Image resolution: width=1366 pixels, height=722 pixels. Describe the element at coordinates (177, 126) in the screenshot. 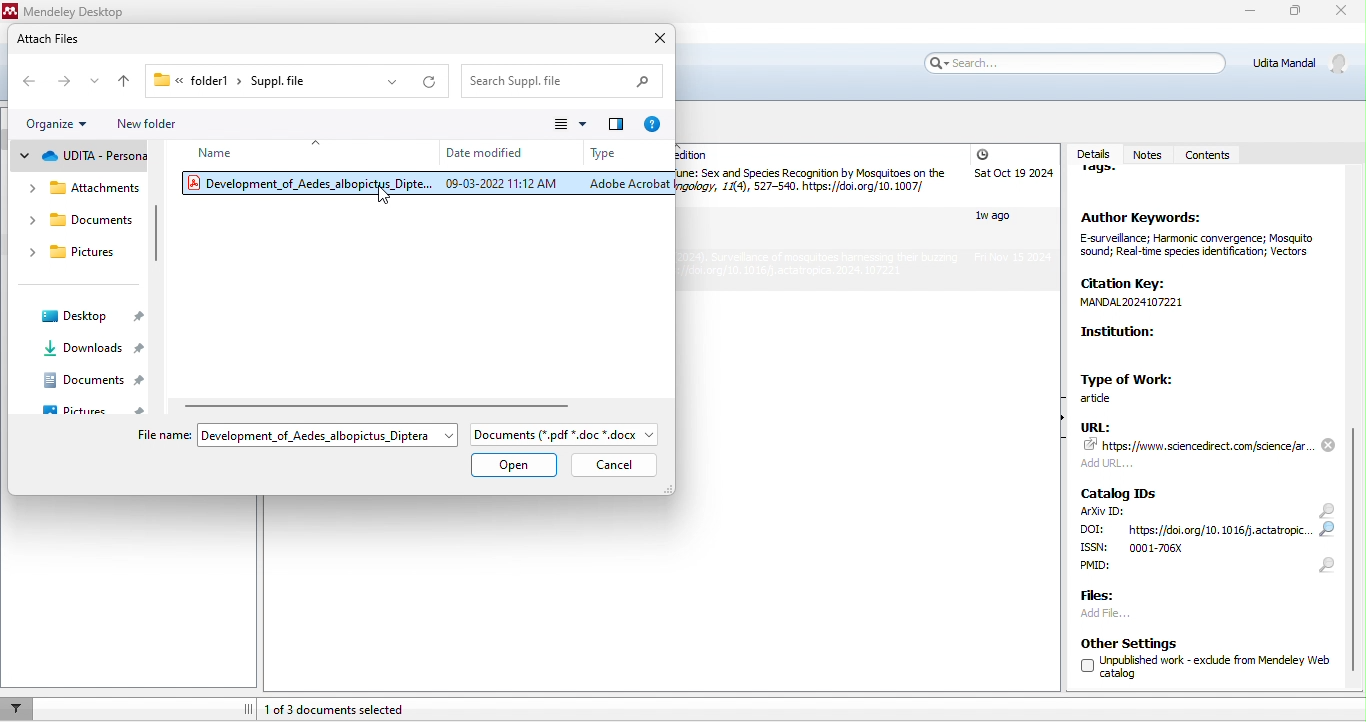

I see `new folder` at that location.